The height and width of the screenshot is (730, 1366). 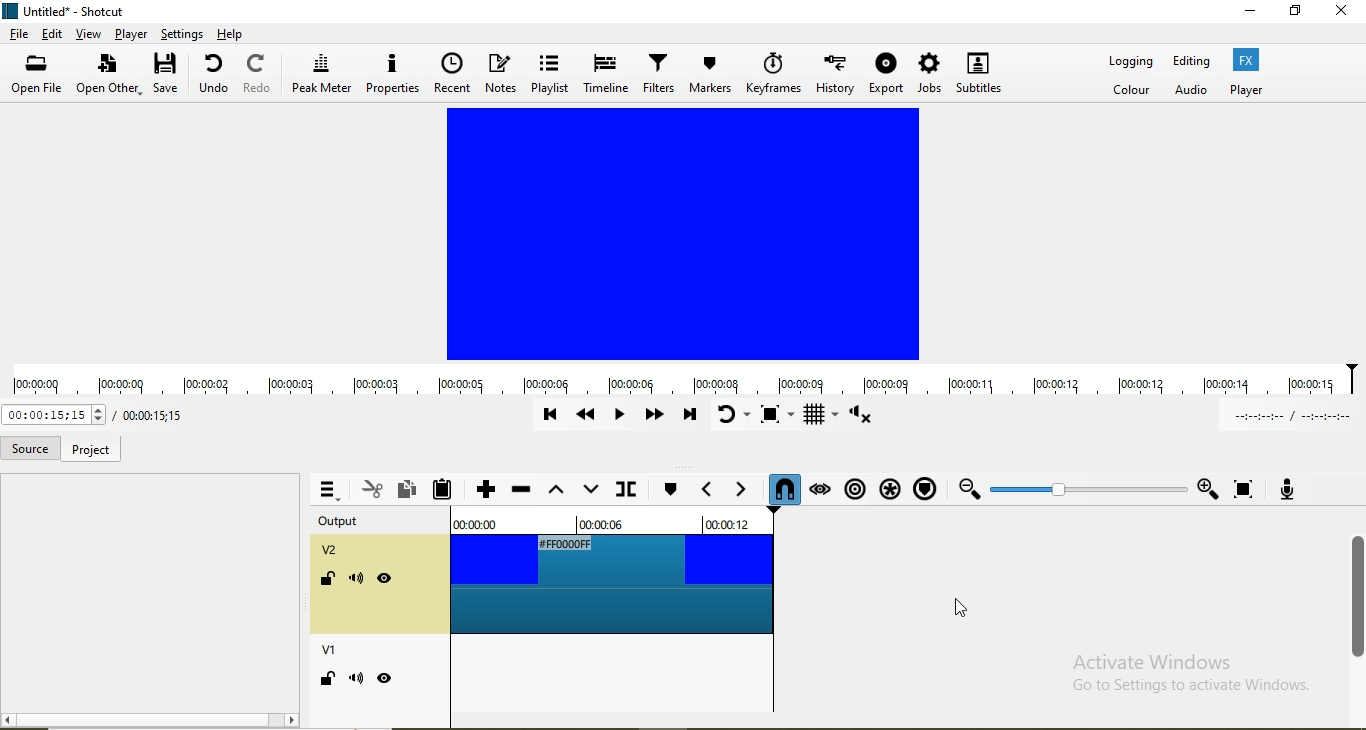 I want to click on Lift, so click(x=556, y=494).